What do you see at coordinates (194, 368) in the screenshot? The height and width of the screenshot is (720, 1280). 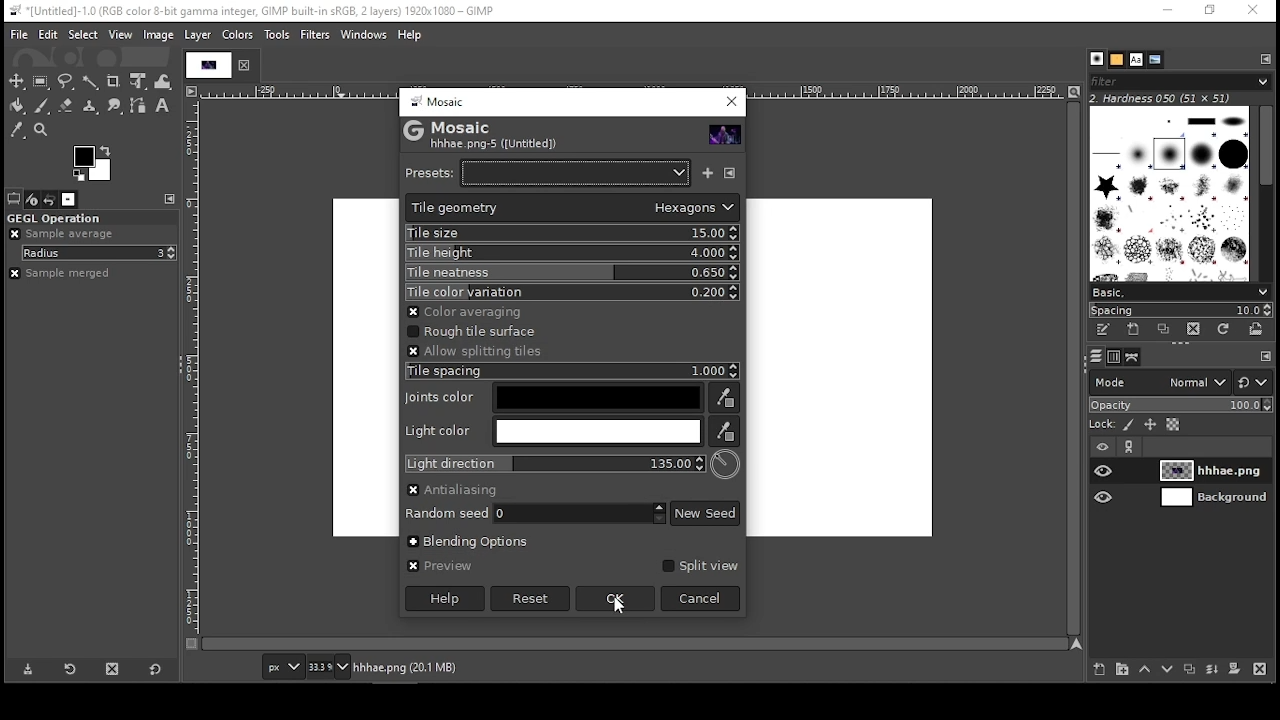 I see `scale` at bounding box center [194, 368].